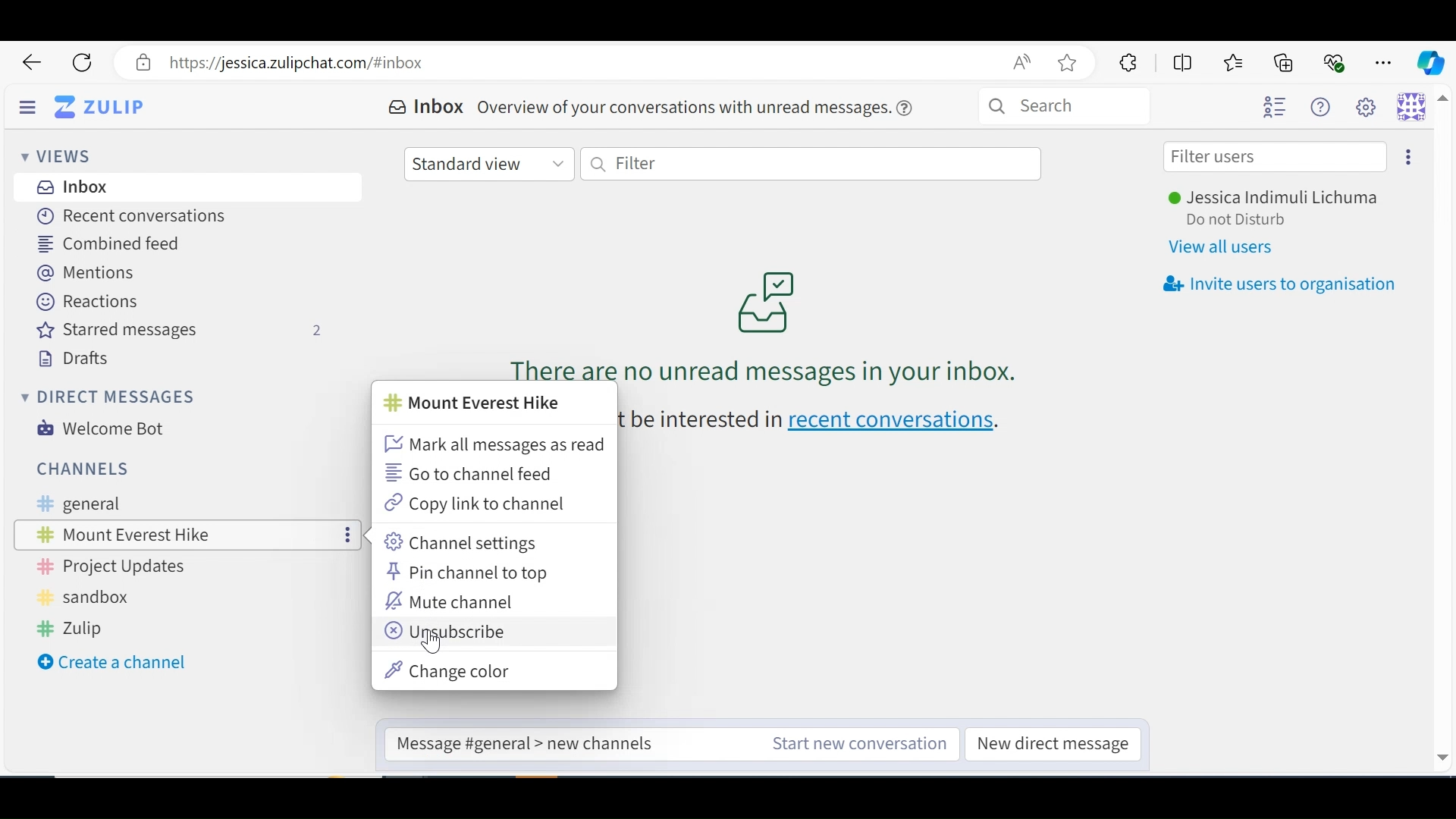 Image resolution: width=1456 pixels, height=819 pixels. What do you see at coordinates (475, 503) in the screenshot?
I see `Copy link to channel` at bounding box center [475, 503].